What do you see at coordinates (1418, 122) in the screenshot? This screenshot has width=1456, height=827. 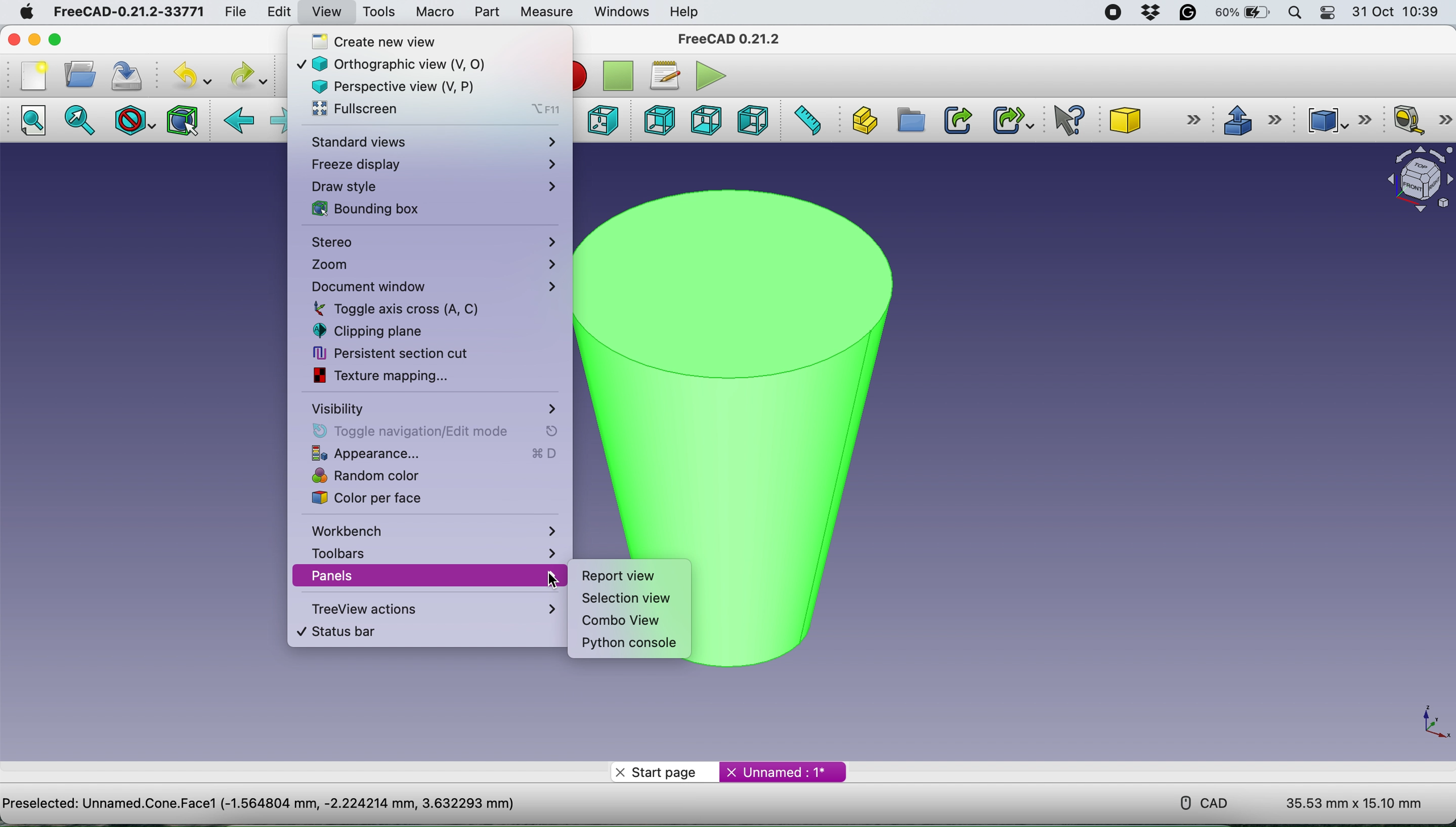 I see `mesure linear` at bounding box center [1418, 122].